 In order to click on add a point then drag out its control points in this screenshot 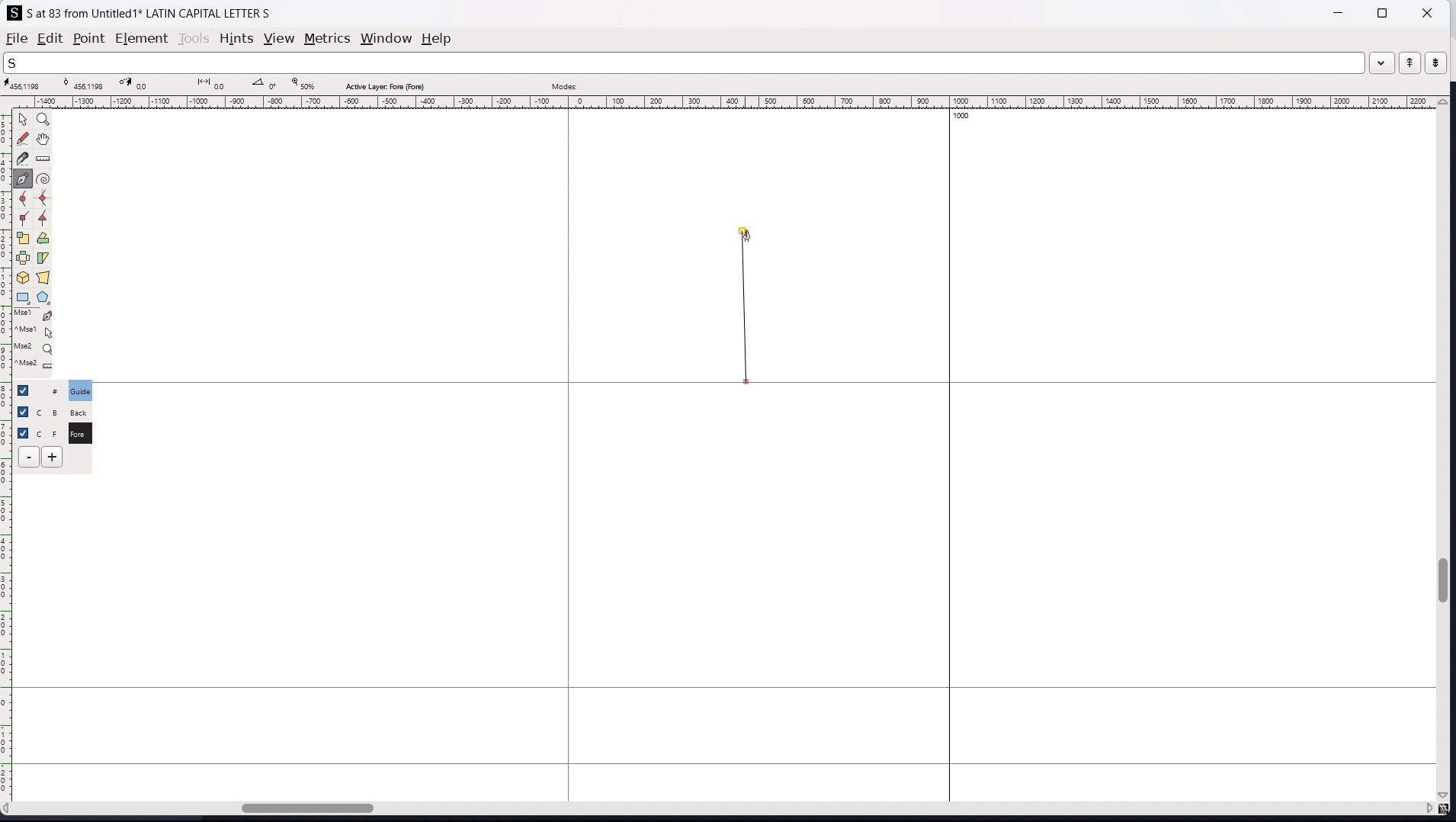, I will do `click(24, 178)`.